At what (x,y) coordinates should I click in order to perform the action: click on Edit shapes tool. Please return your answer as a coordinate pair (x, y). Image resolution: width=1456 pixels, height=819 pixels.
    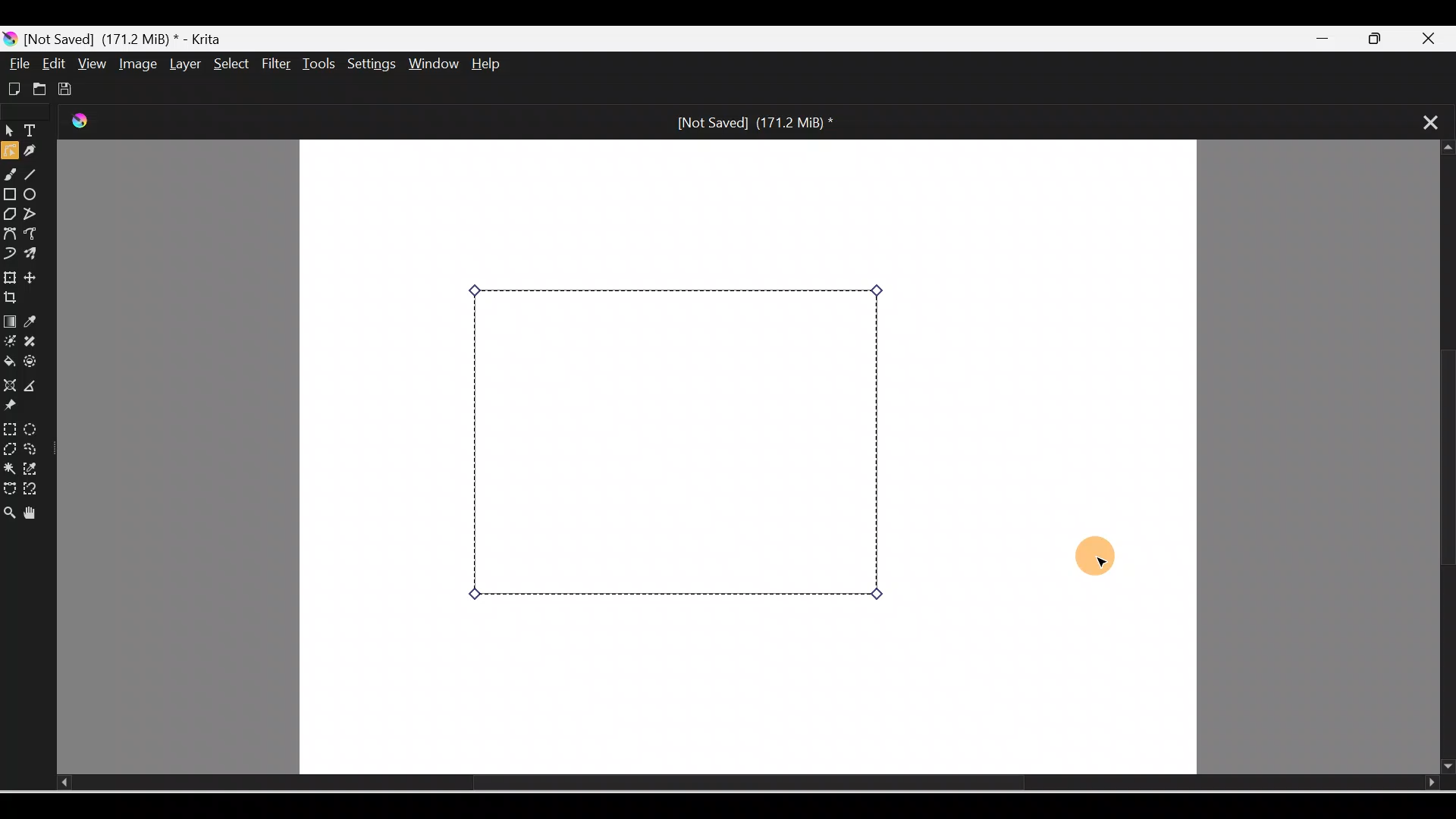
    Looking at the image, I should click on (9, 153).